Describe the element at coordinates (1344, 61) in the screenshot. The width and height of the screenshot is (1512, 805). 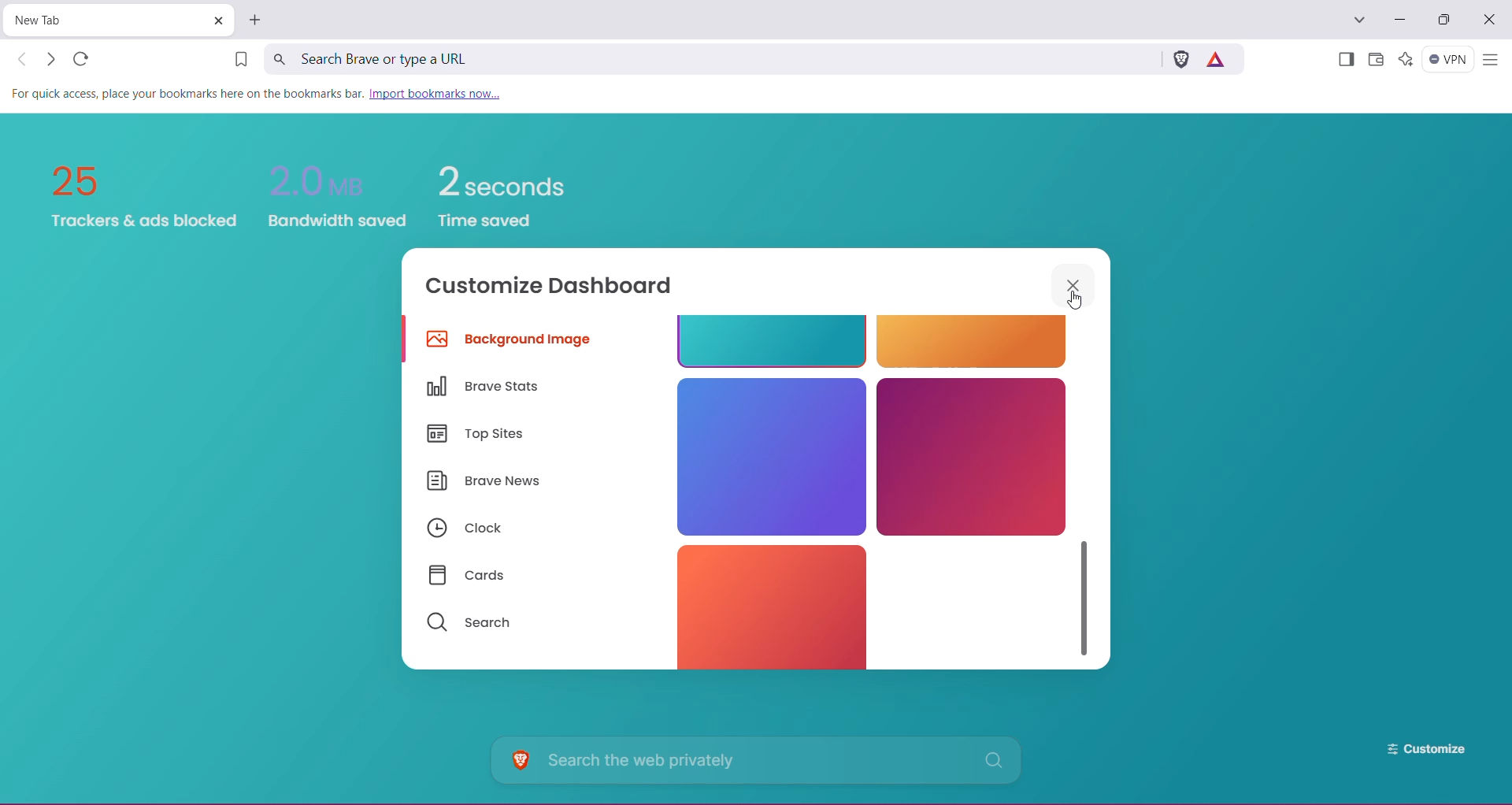
I see `Show Sidebar` at that location.